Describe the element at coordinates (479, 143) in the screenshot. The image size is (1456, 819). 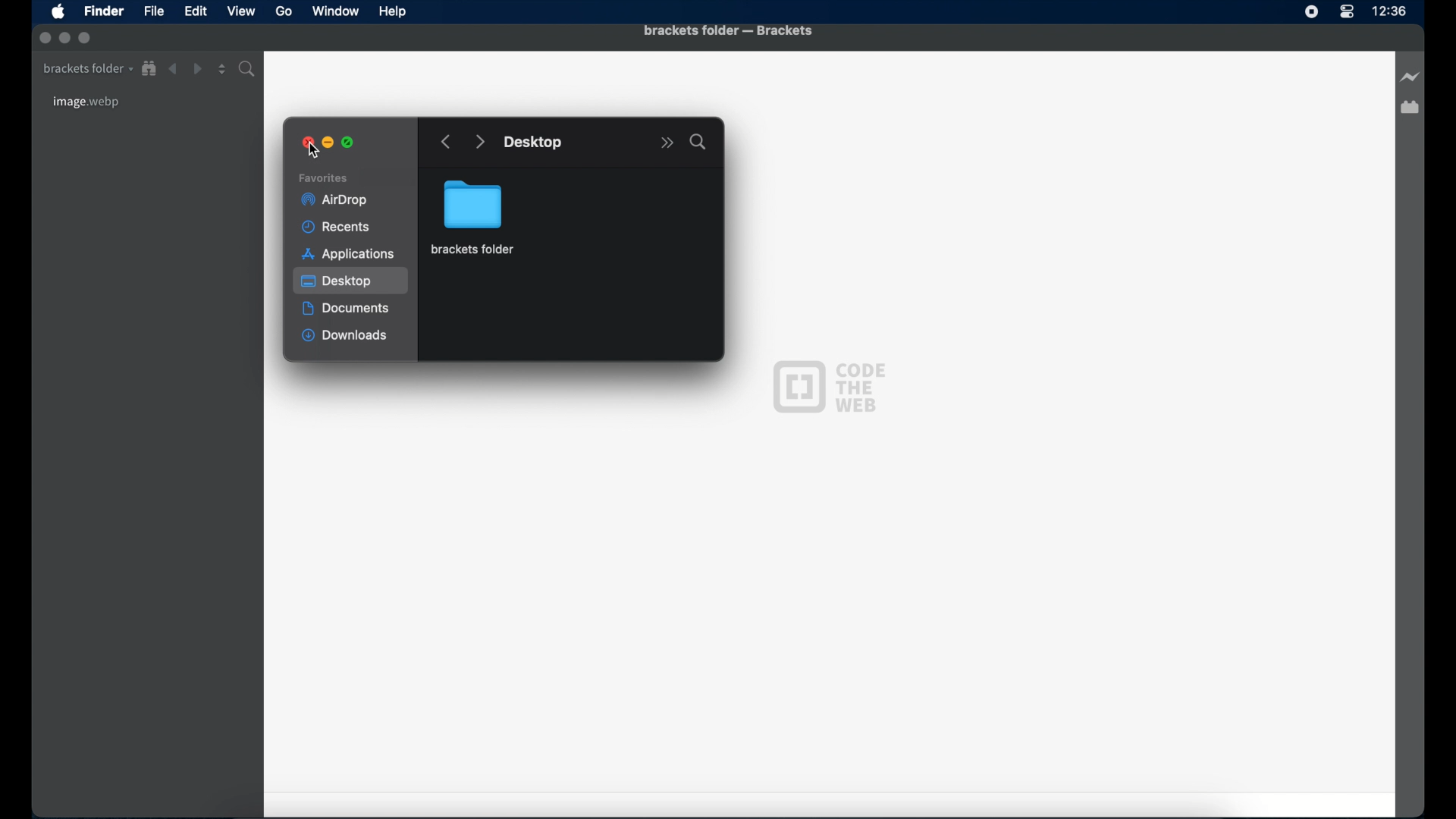
I see `go forward` at that location.